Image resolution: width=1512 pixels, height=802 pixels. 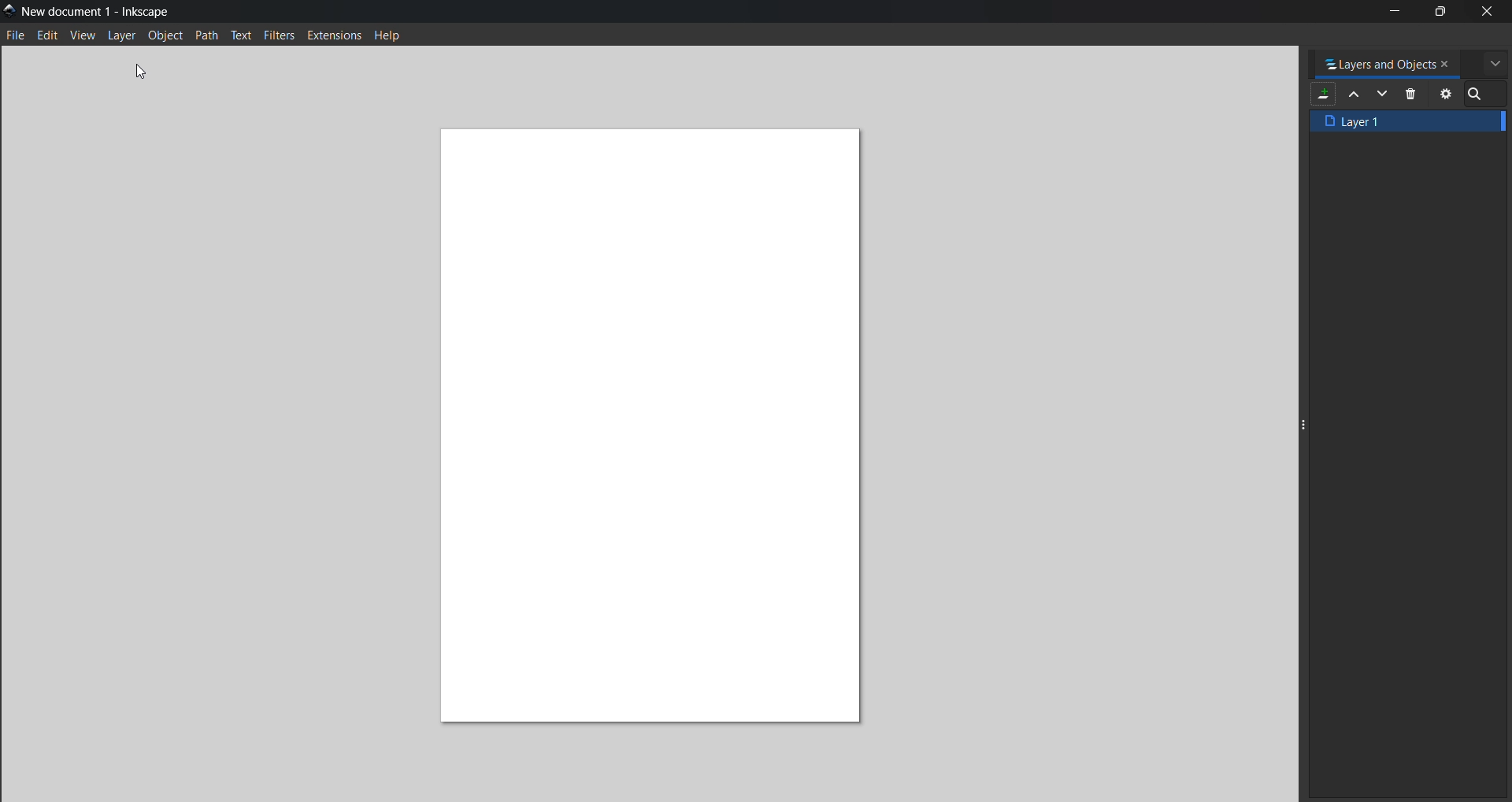 What do you see at coordinates (17, 35) in the screenshot?
I see `file` at bounding box center [17, 35].